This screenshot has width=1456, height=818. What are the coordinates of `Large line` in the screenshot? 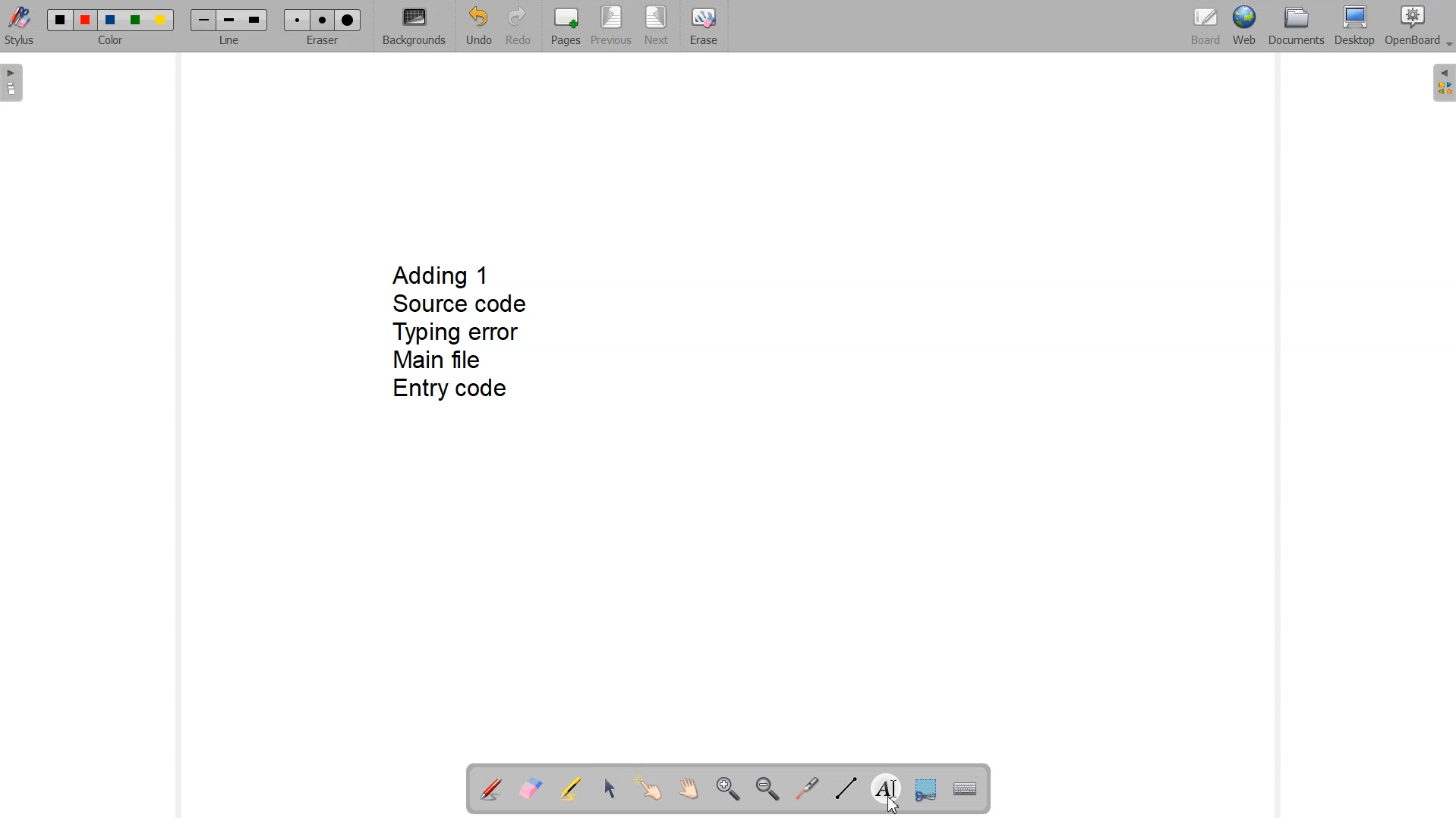 It's located at (256, 20).